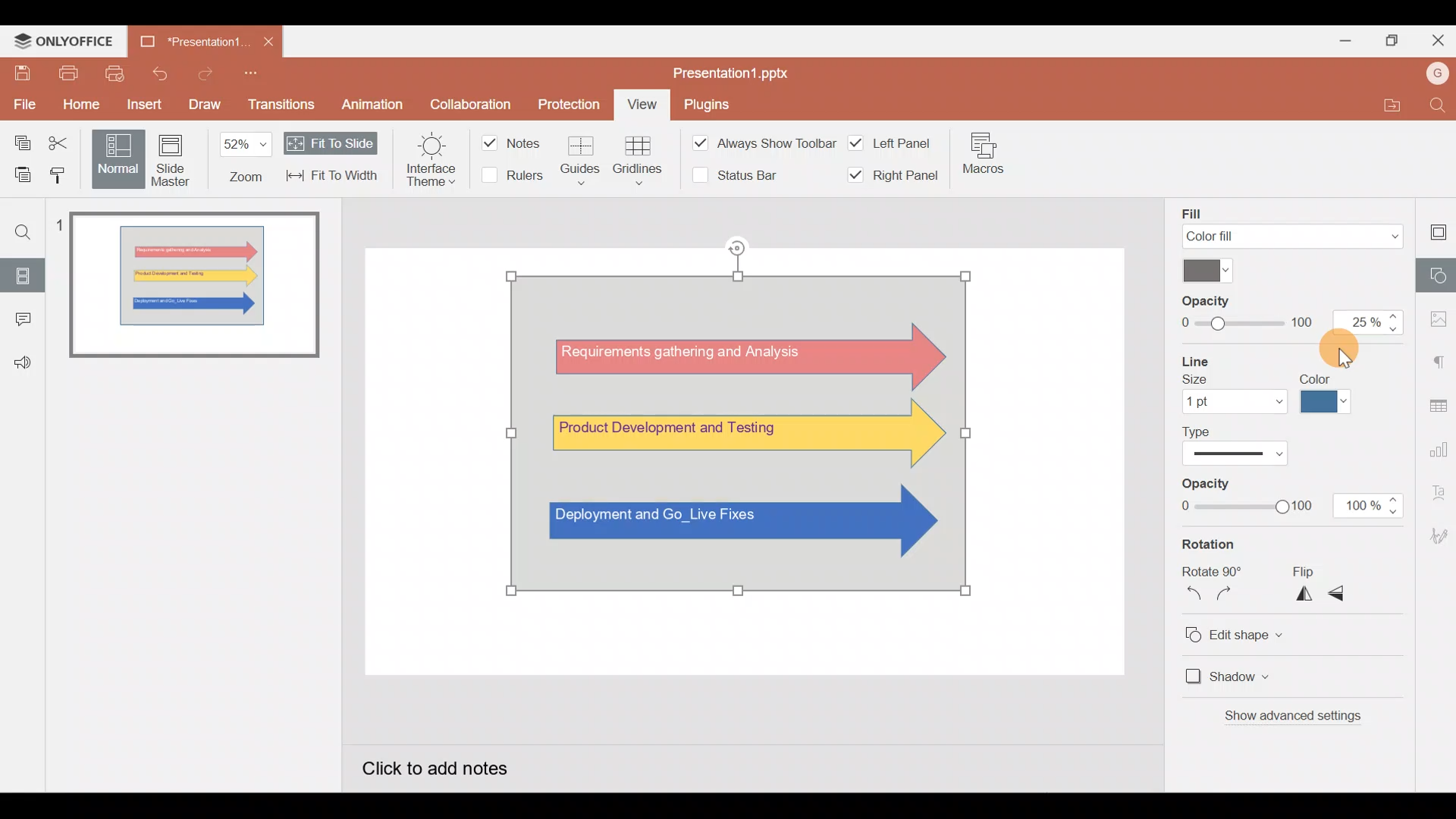 The image size is (1456, 819). Describe the element at coordinates (1238, 674) in the screenshot. I see `Shadow` at that location.